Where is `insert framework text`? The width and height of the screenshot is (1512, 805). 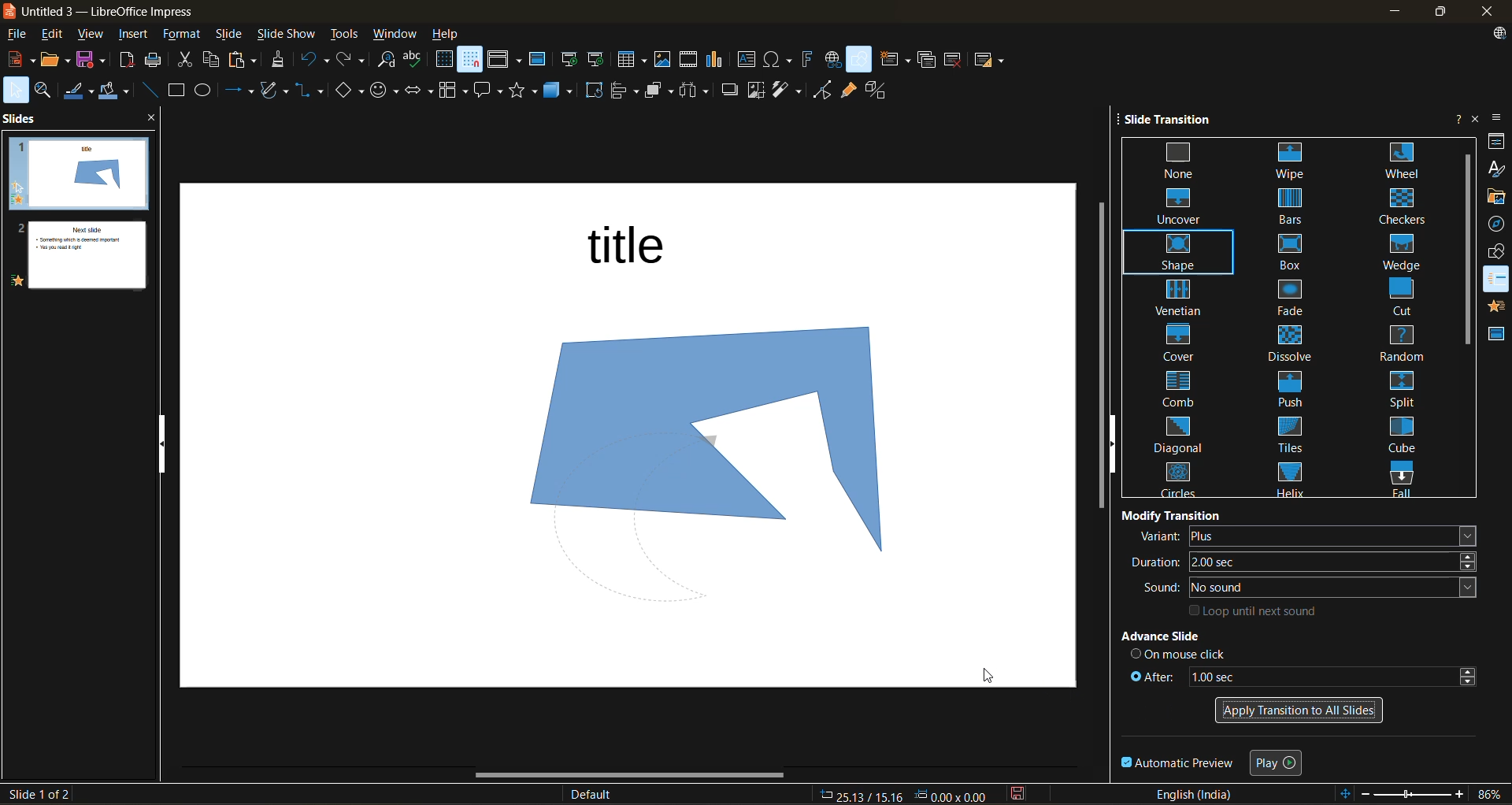
insert framework text is located at coordinates (809, 61).